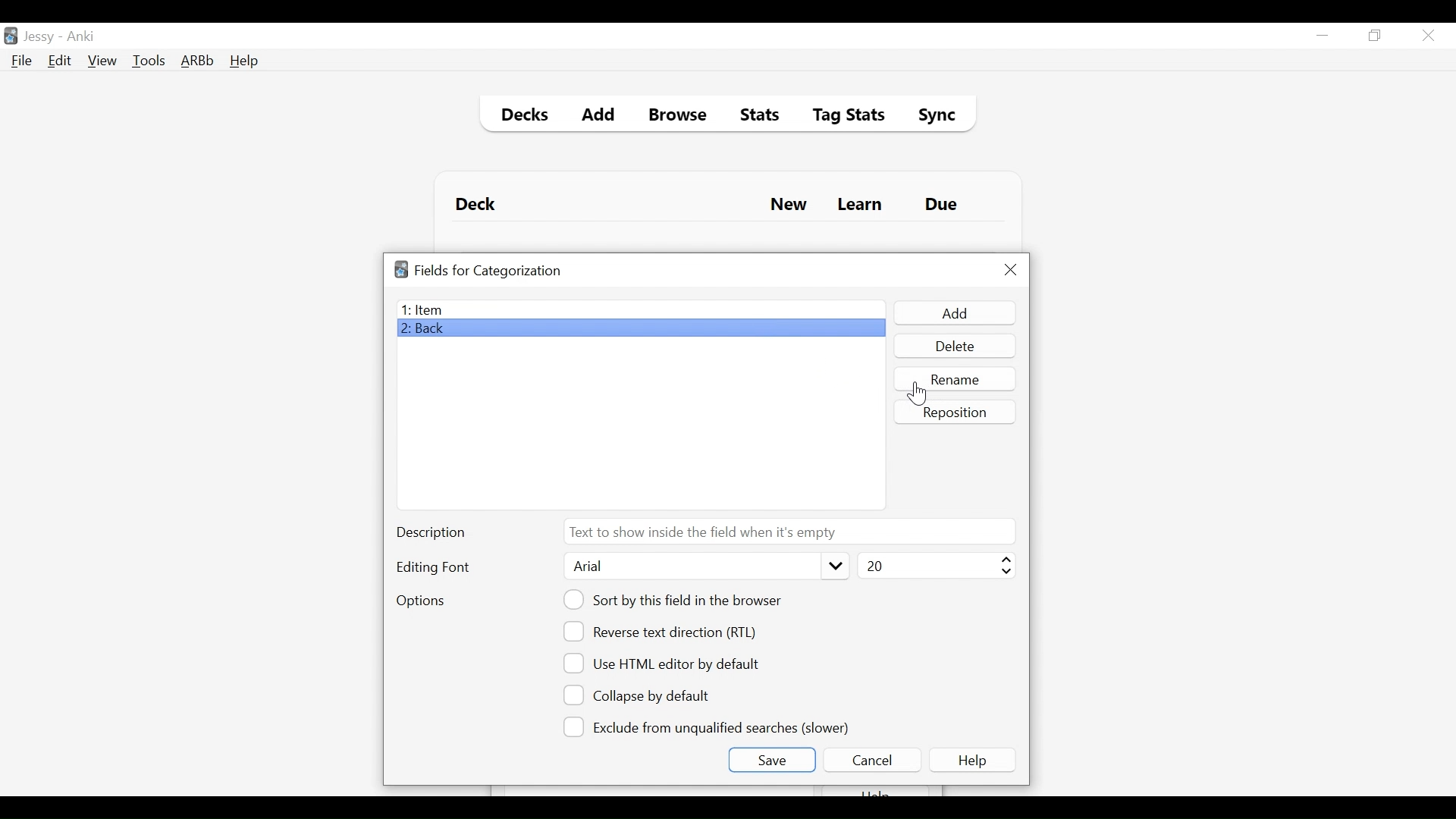 The height and width of the screenshot is (819, 1456). Describe the element at coordinates (11, 36) in the screenshot. I see `Anki Desktop icon` at that location.